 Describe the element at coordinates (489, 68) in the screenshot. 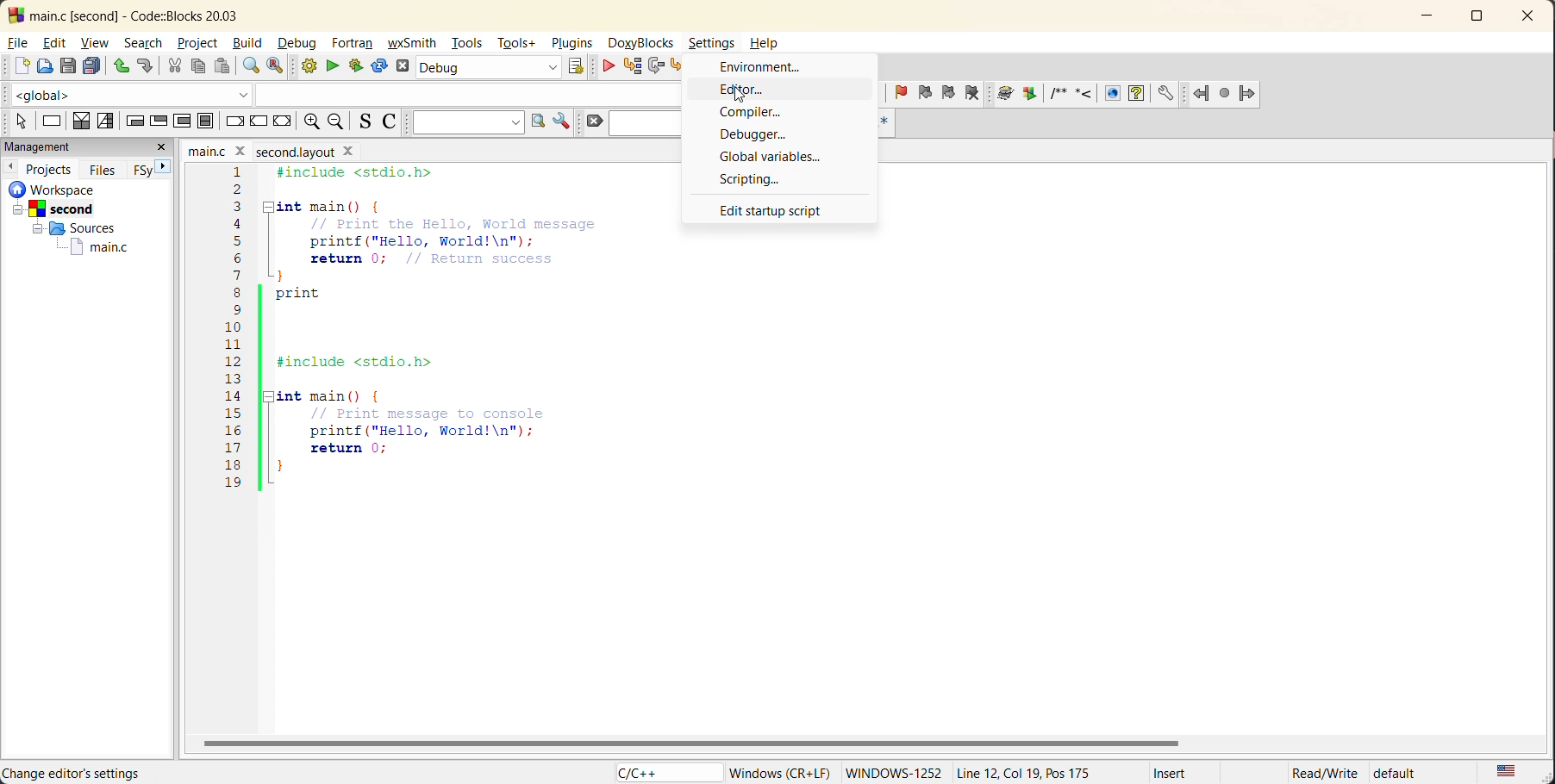

I see `build target` at that location.